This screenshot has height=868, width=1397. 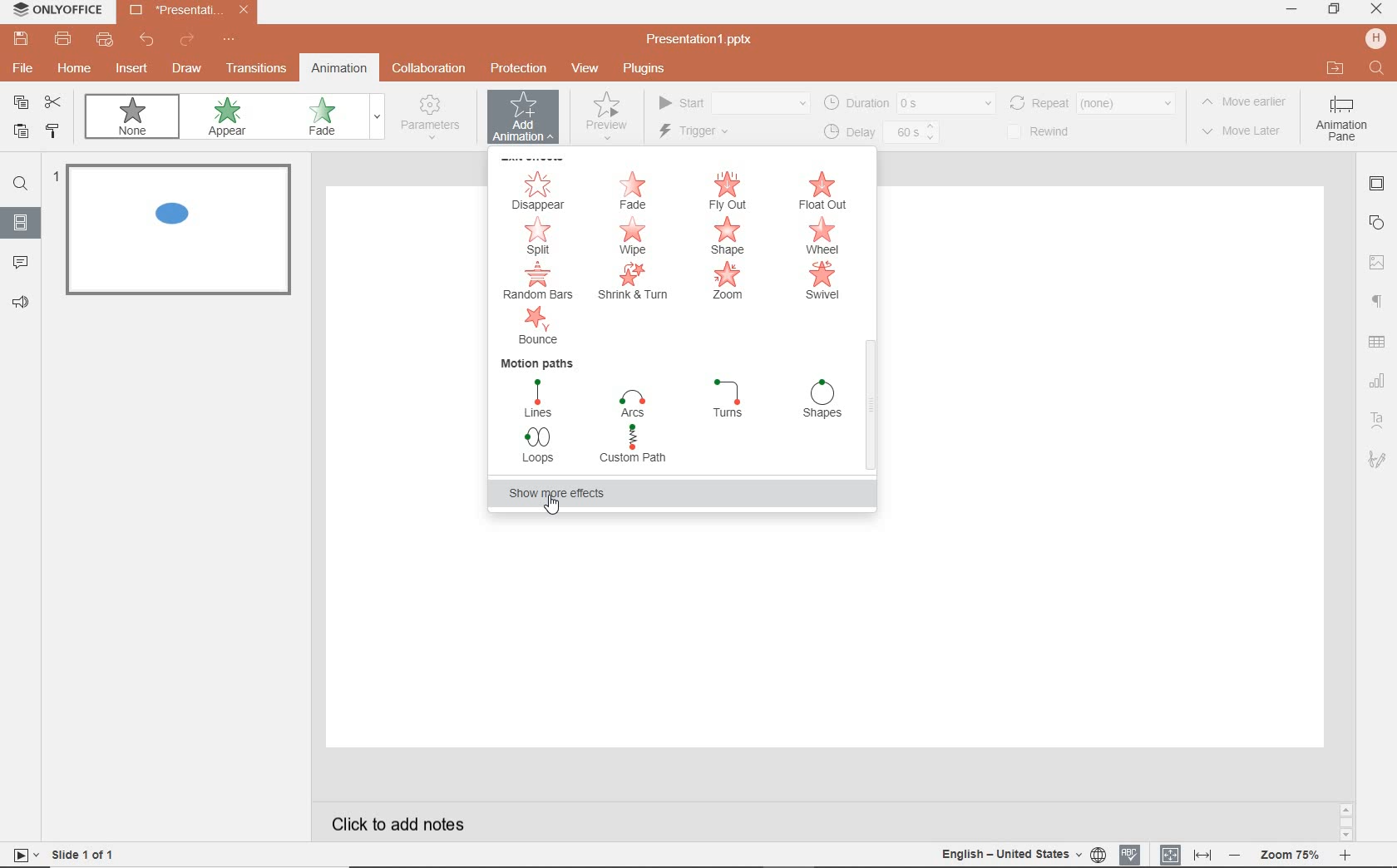 I want to click on image settings, so click(x=1377, y=259).